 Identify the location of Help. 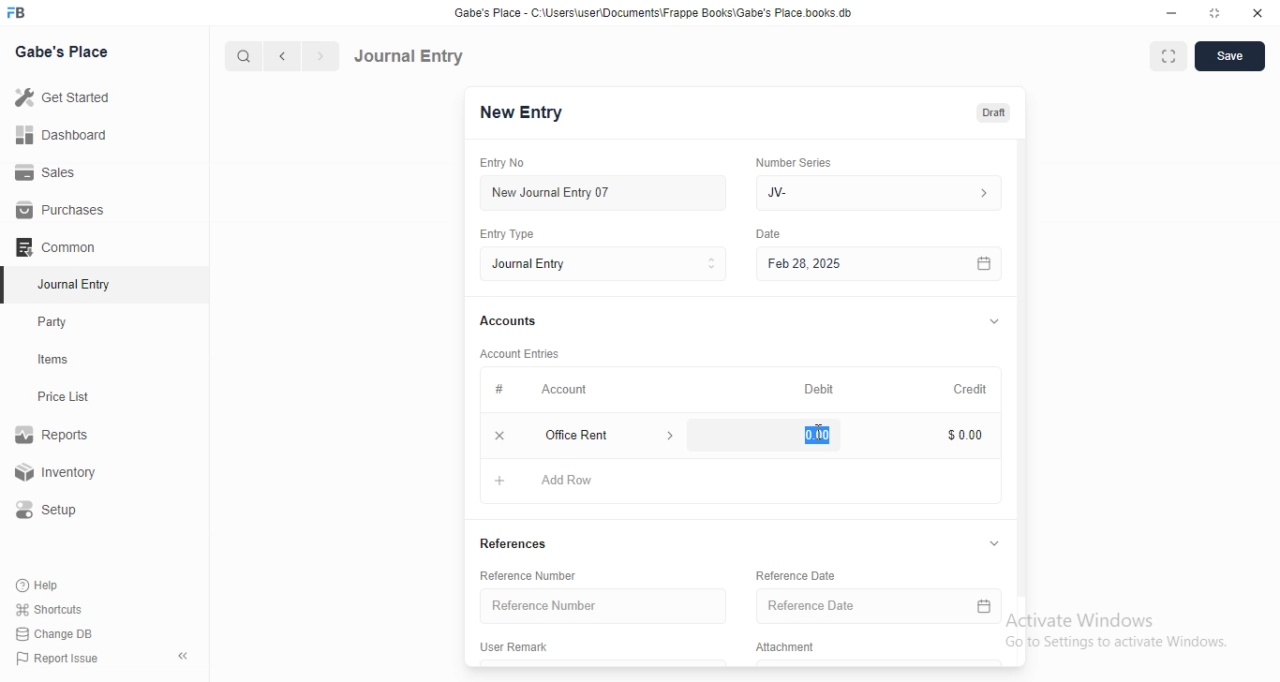
(41, 585).